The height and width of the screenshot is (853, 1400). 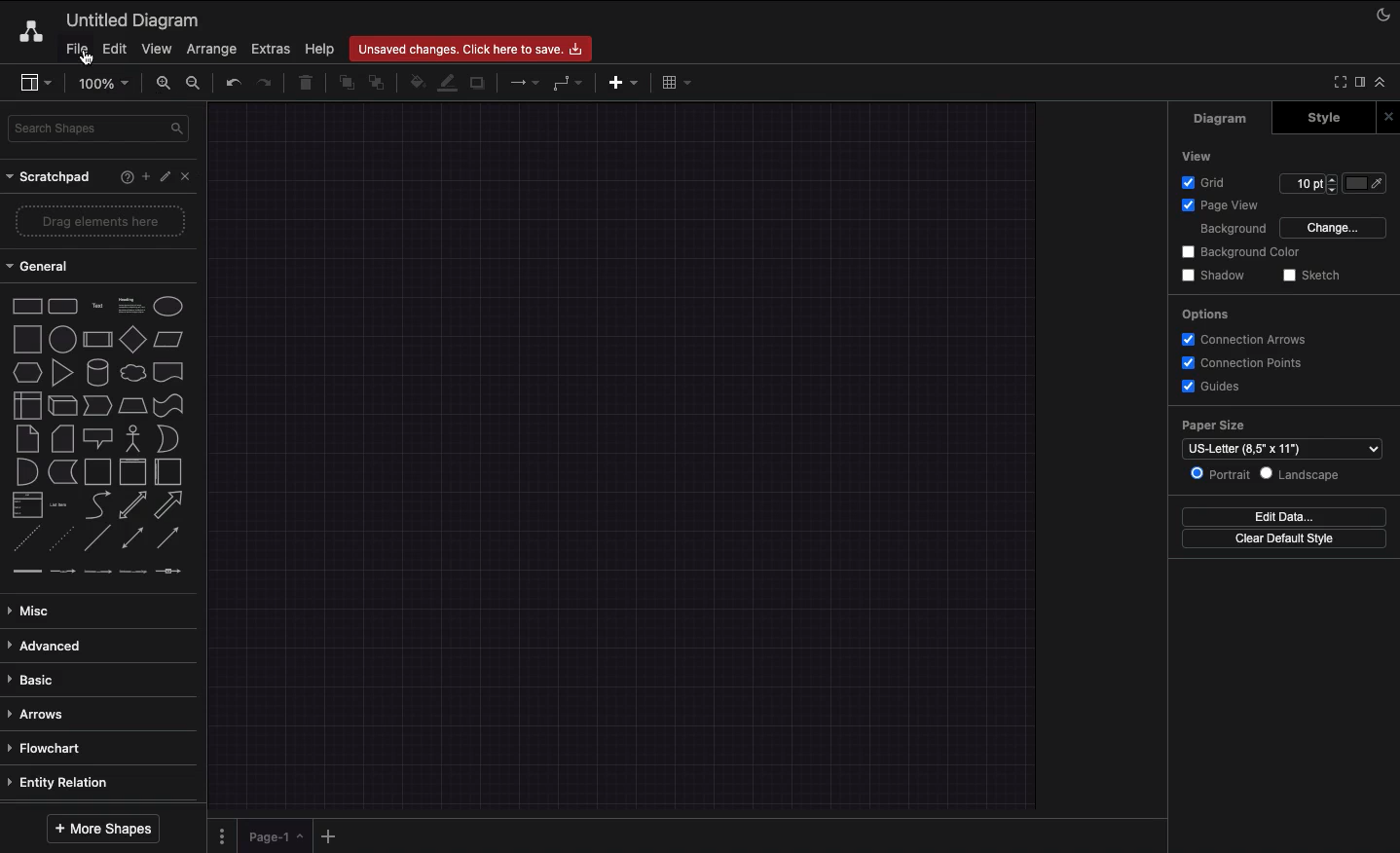 What do you see at coordinates (1220, 473) in the screenshot?
I see `Portrait ` at bounding box center [1220, 473].